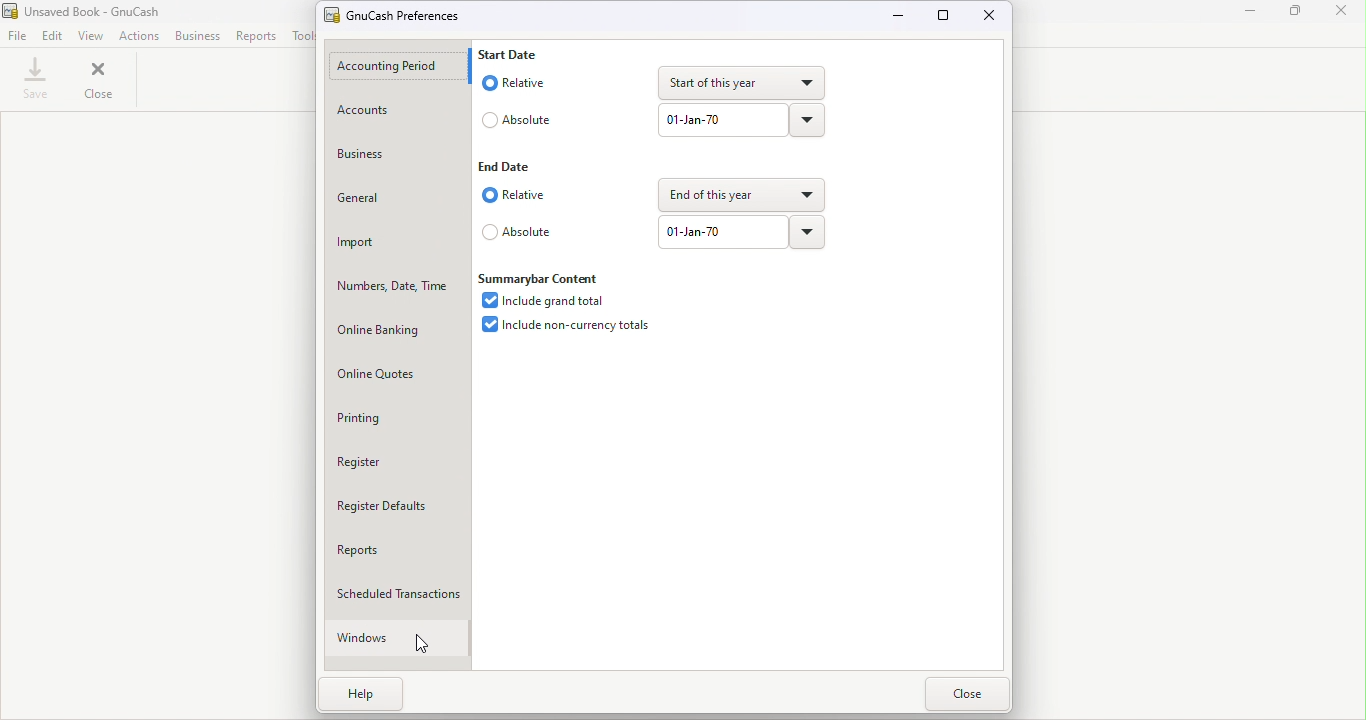 This screenshot has height=720, width=1366. Describe the element at coordinates (721, 232) in the screenshot. I see `Text box` at that location.